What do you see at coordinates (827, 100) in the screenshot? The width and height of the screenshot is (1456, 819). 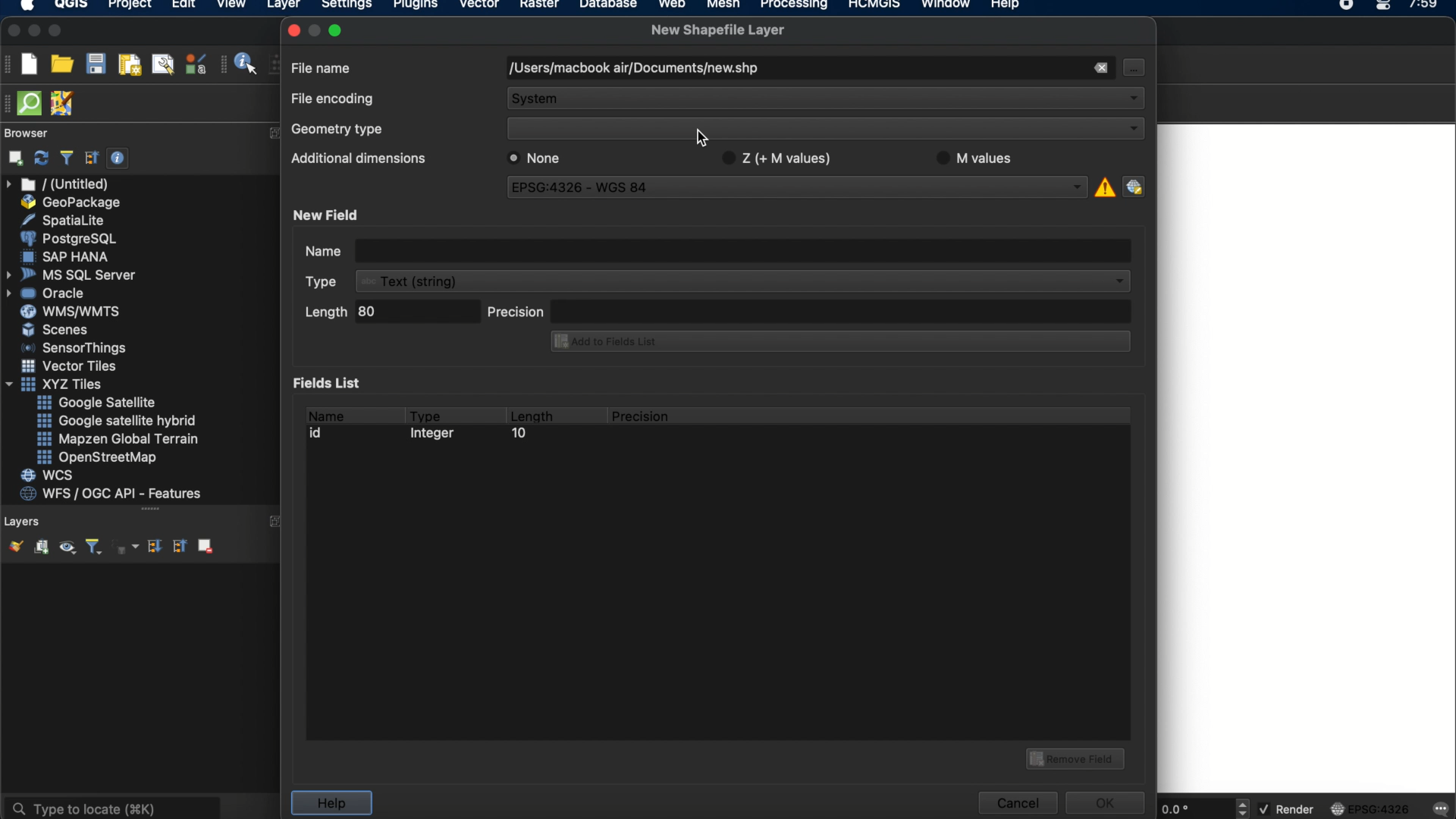 I see `system dropdown menu` at bounding box center [827, 100].